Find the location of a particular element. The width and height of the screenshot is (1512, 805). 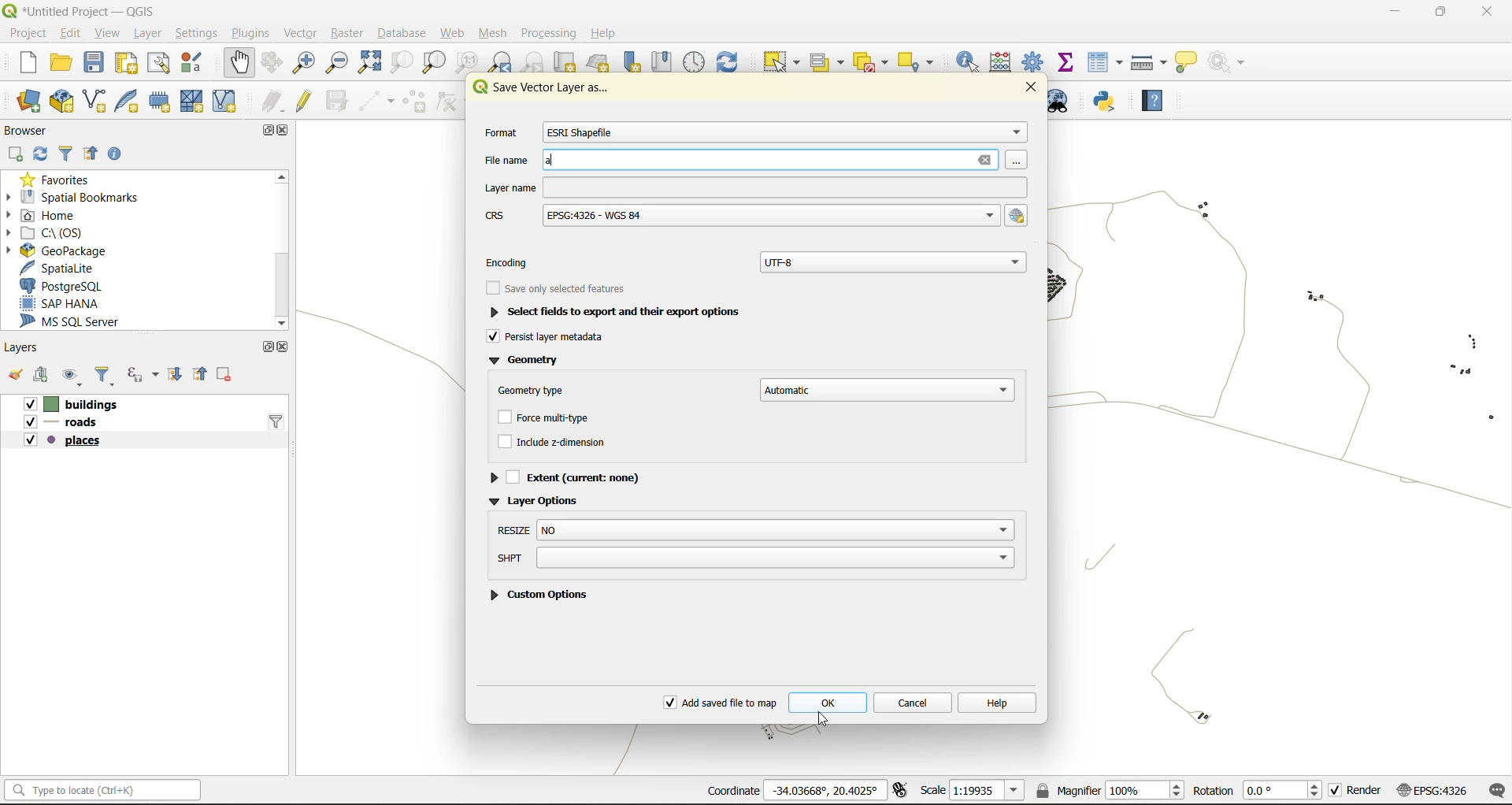

filter is located at coordinates (107, 375).